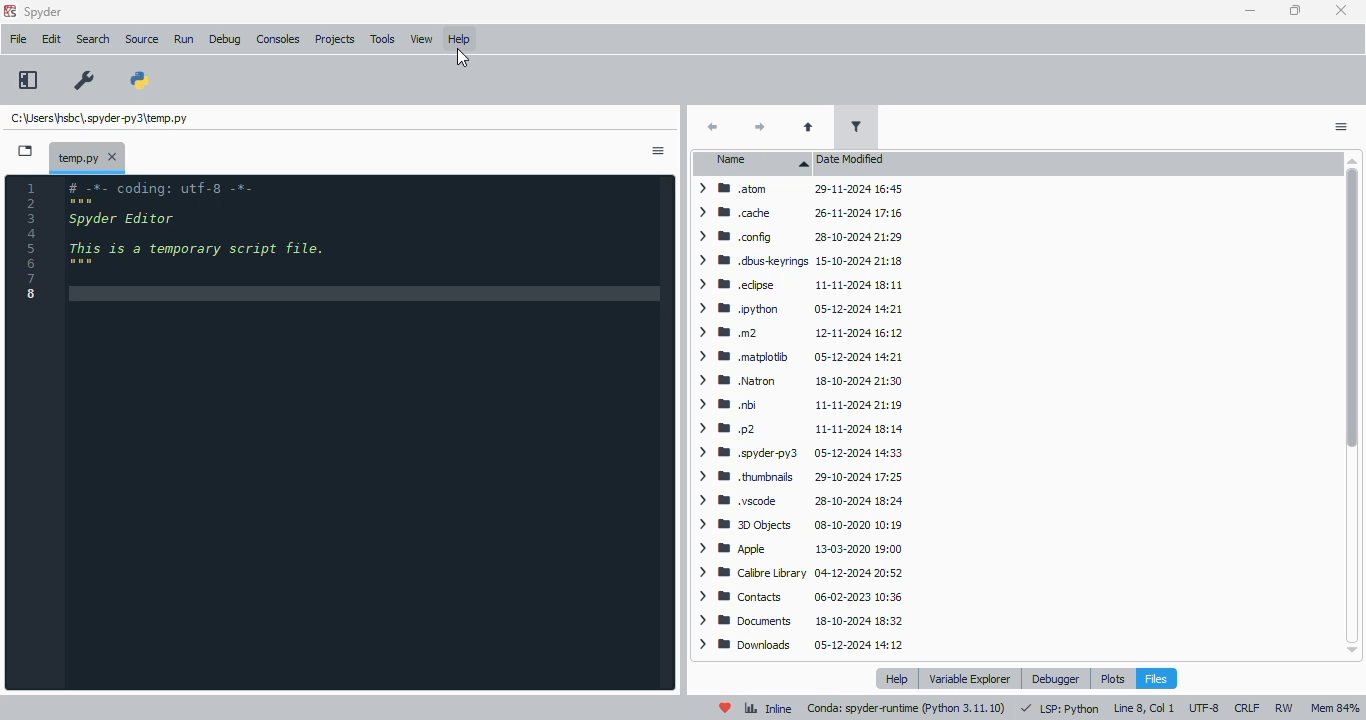 The height and width of the screenshot is (720, 1366). Describe the element at coordinates (1155, 677) in the screenshot. I see `files` at that location.